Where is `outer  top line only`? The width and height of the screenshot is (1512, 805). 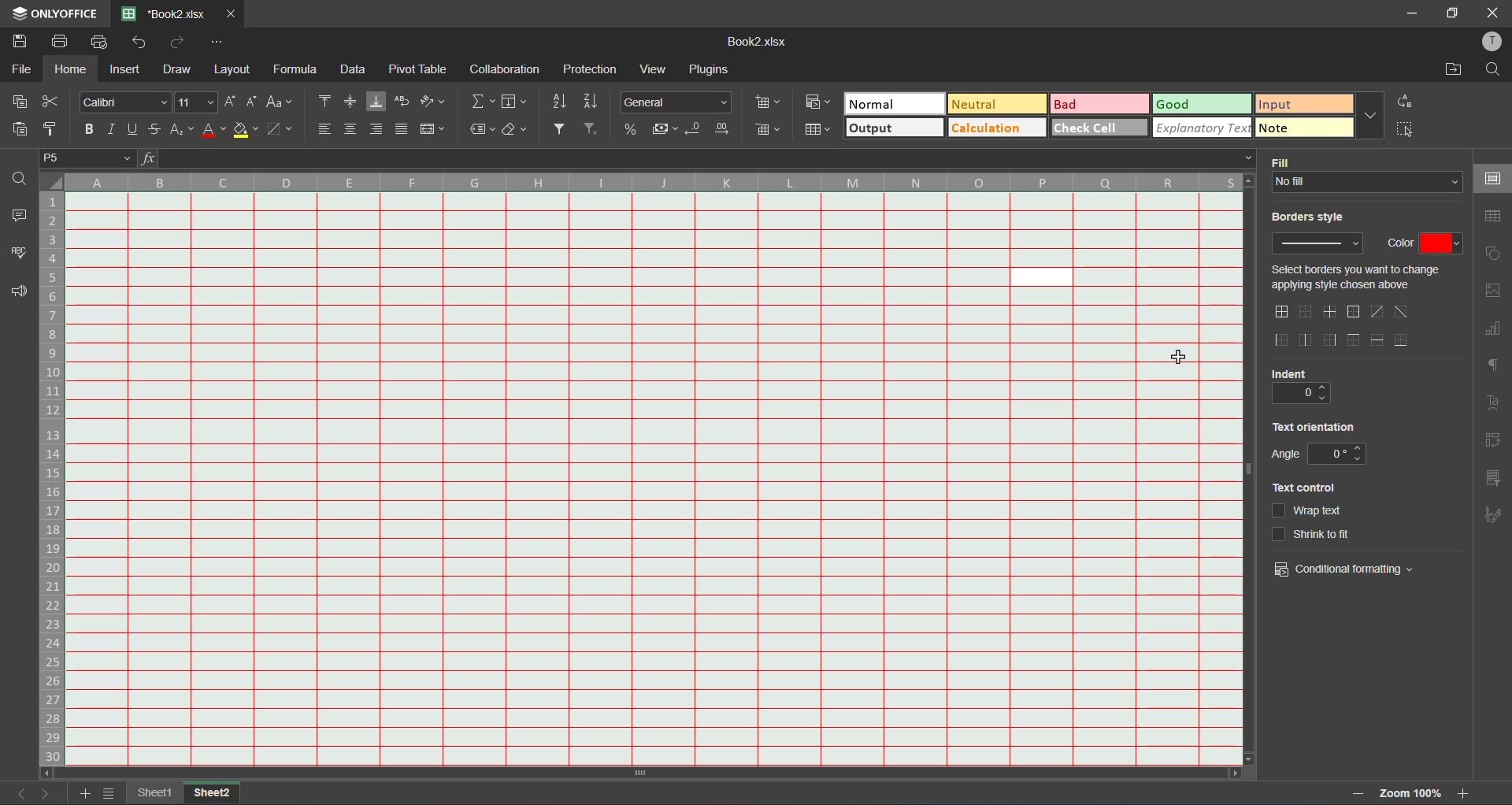 outer  top line only is located at coordinates (1354, 341).